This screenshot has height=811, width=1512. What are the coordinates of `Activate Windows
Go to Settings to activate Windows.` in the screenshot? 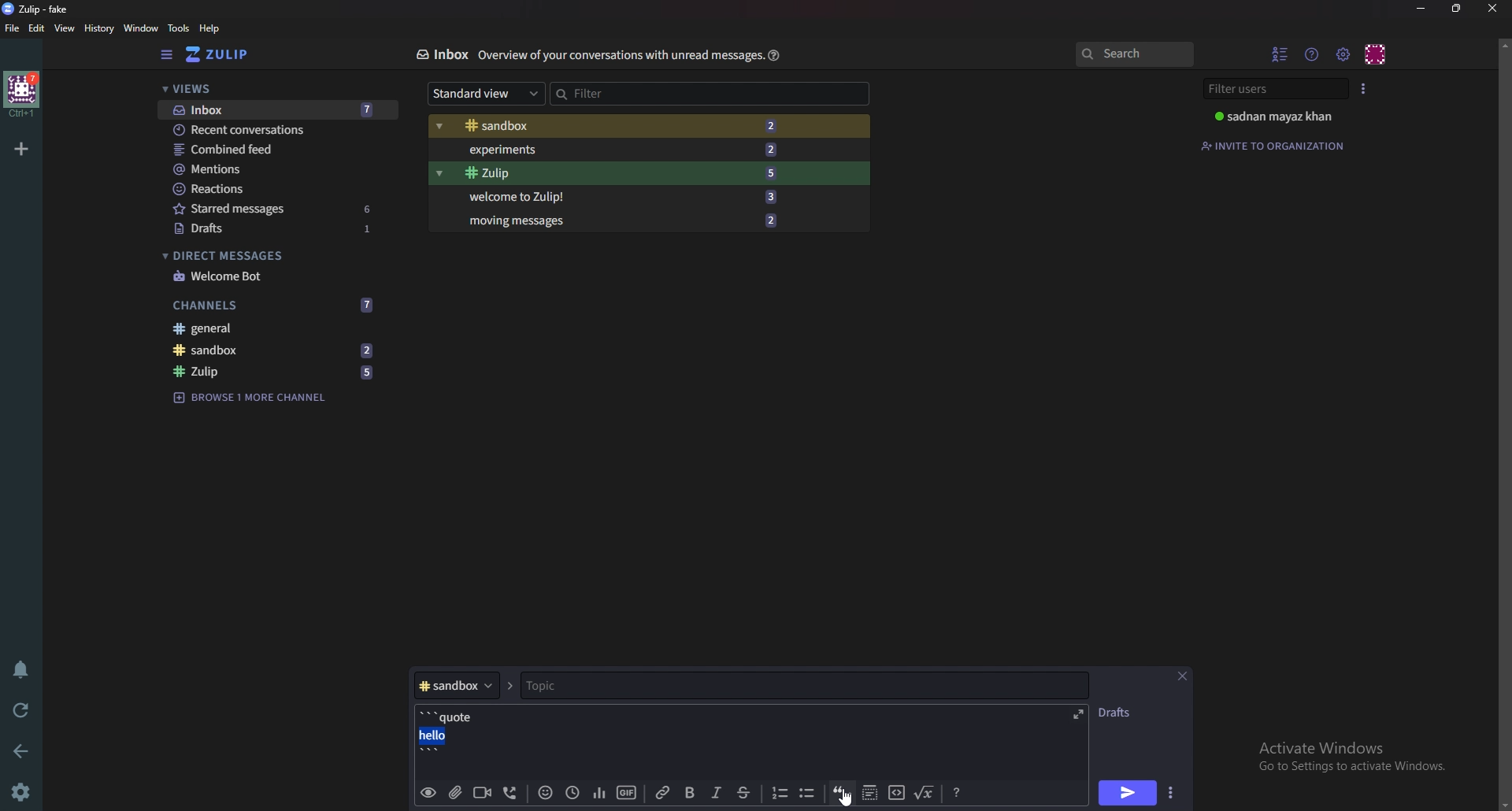 It's located at (1354, 757).